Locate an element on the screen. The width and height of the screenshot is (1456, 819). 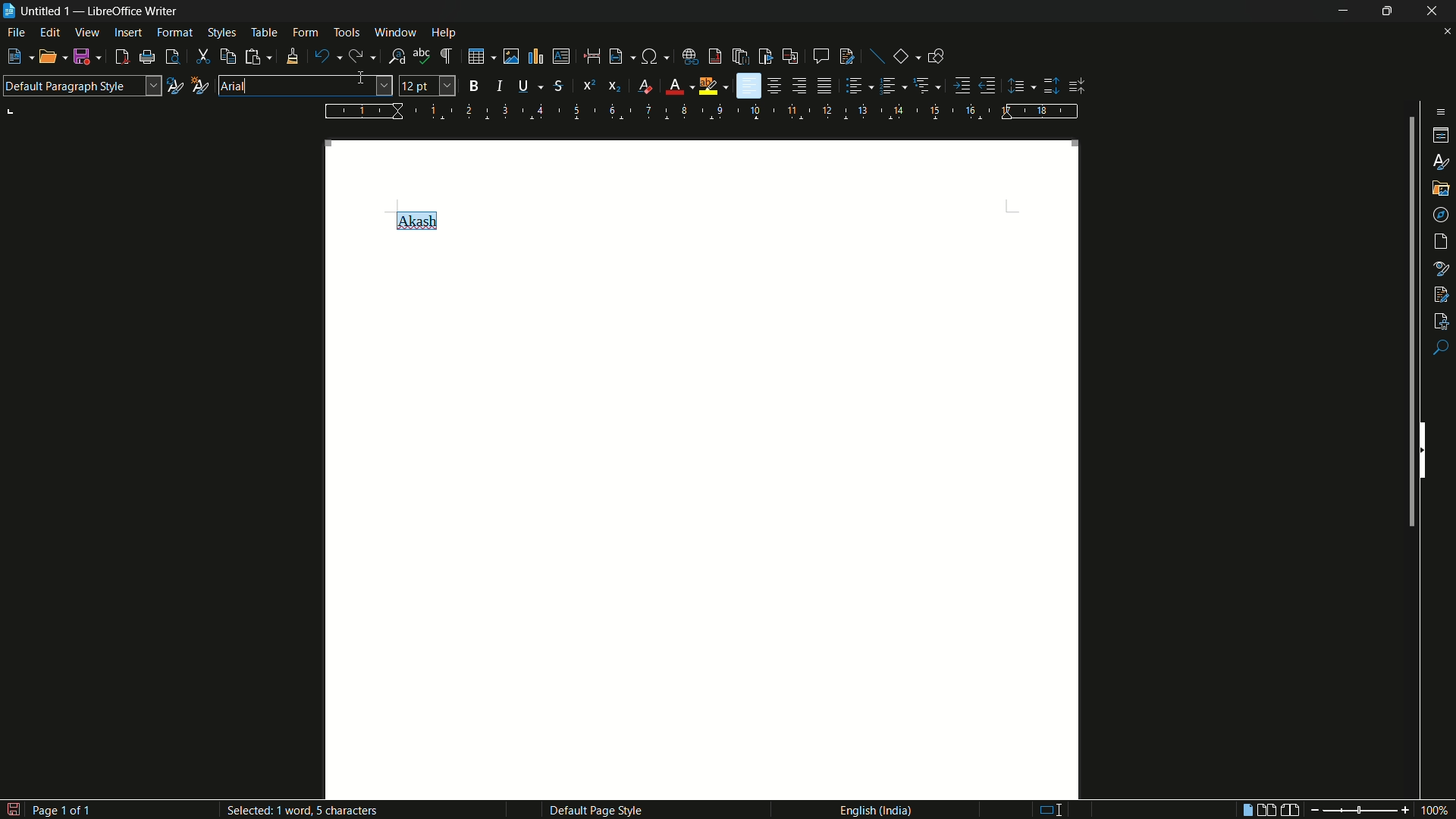
single page is located at coordinates (1244, 811).